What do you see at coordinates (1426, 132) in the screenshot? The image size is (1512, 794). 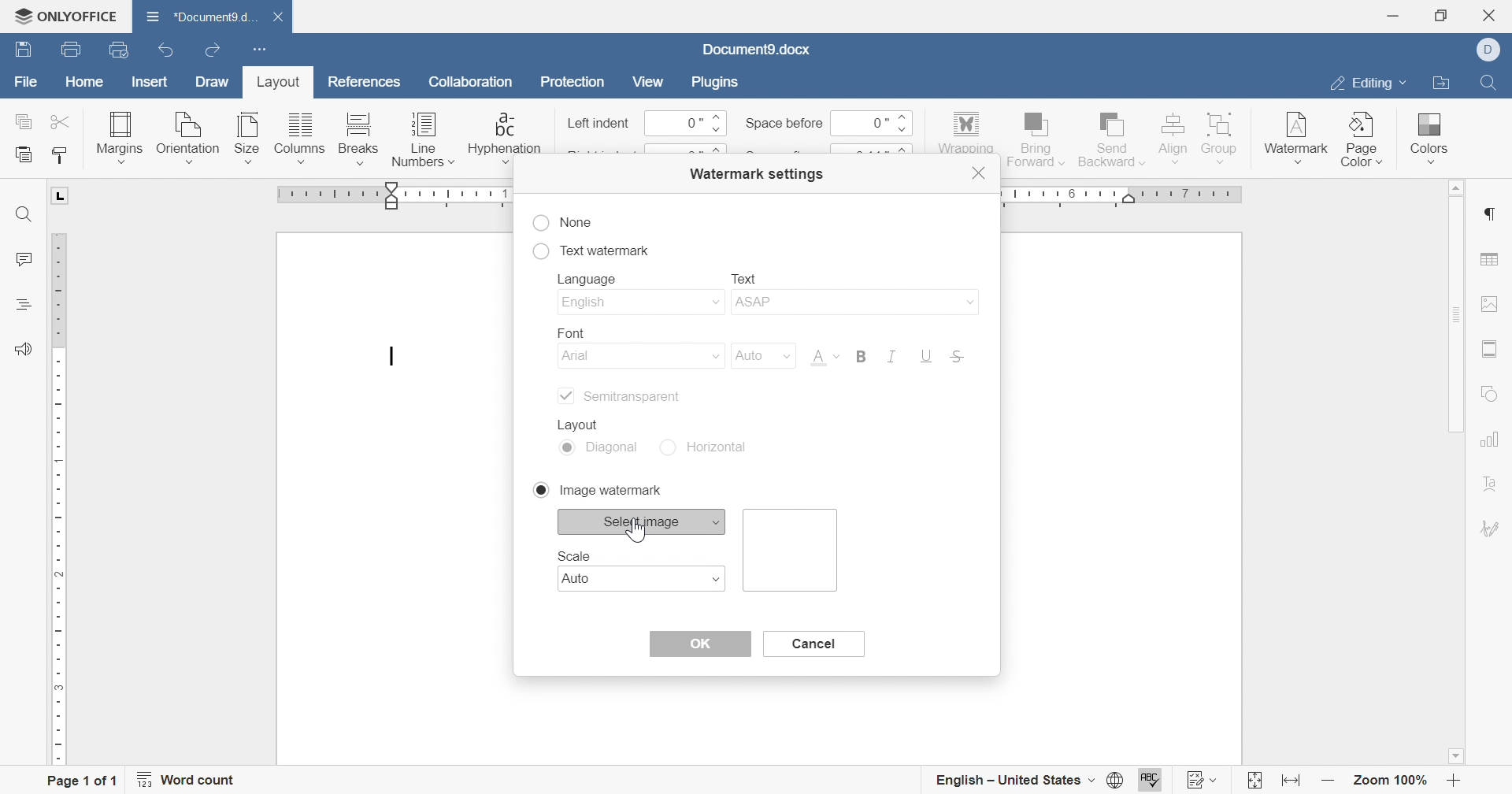 I see `colors` at bounding box center [1426, 132].